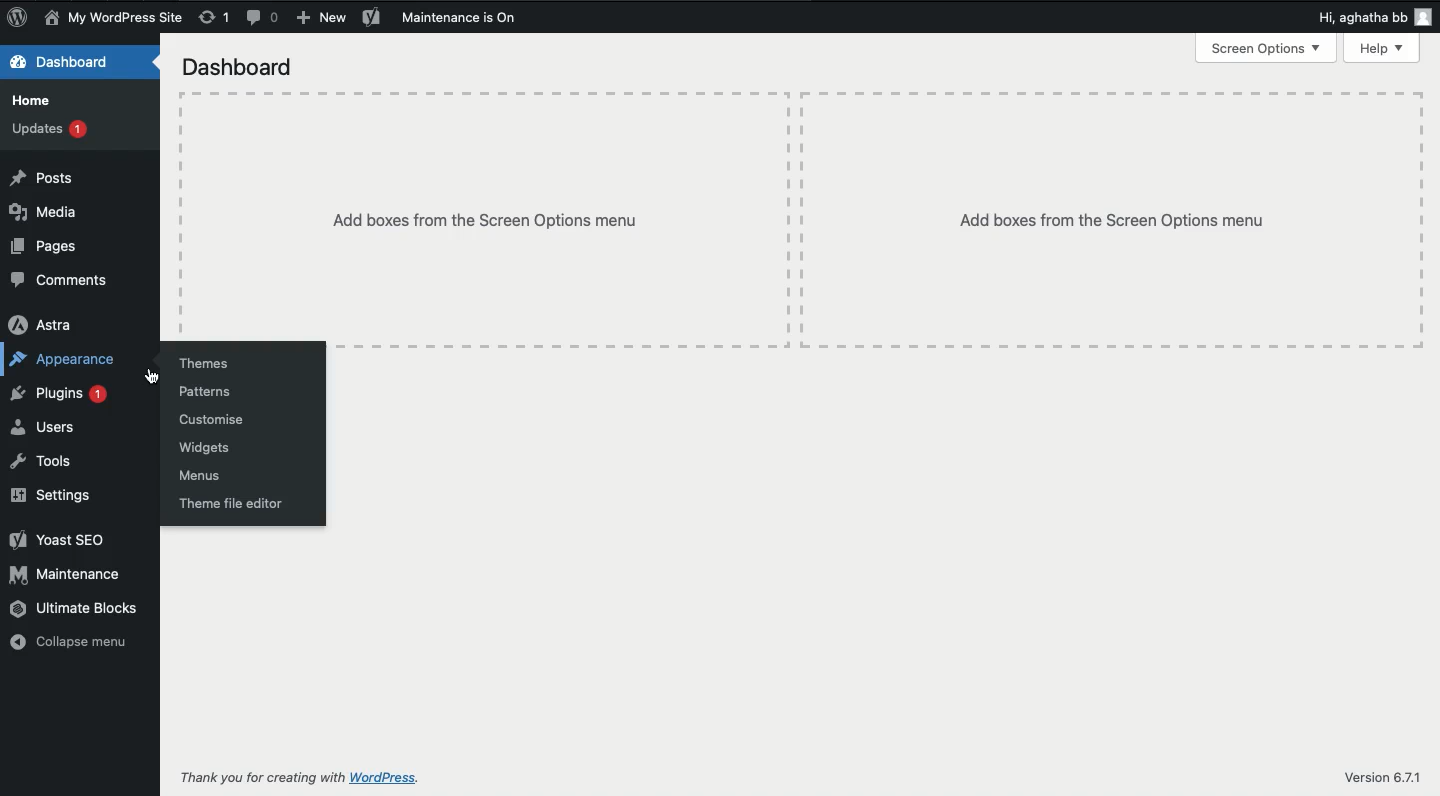 This screenshot has height=796, width=1440. What do you see at coordinates (64, 63) in the screenshot?
I see `Dashboard` at bounding box center [64, 63].